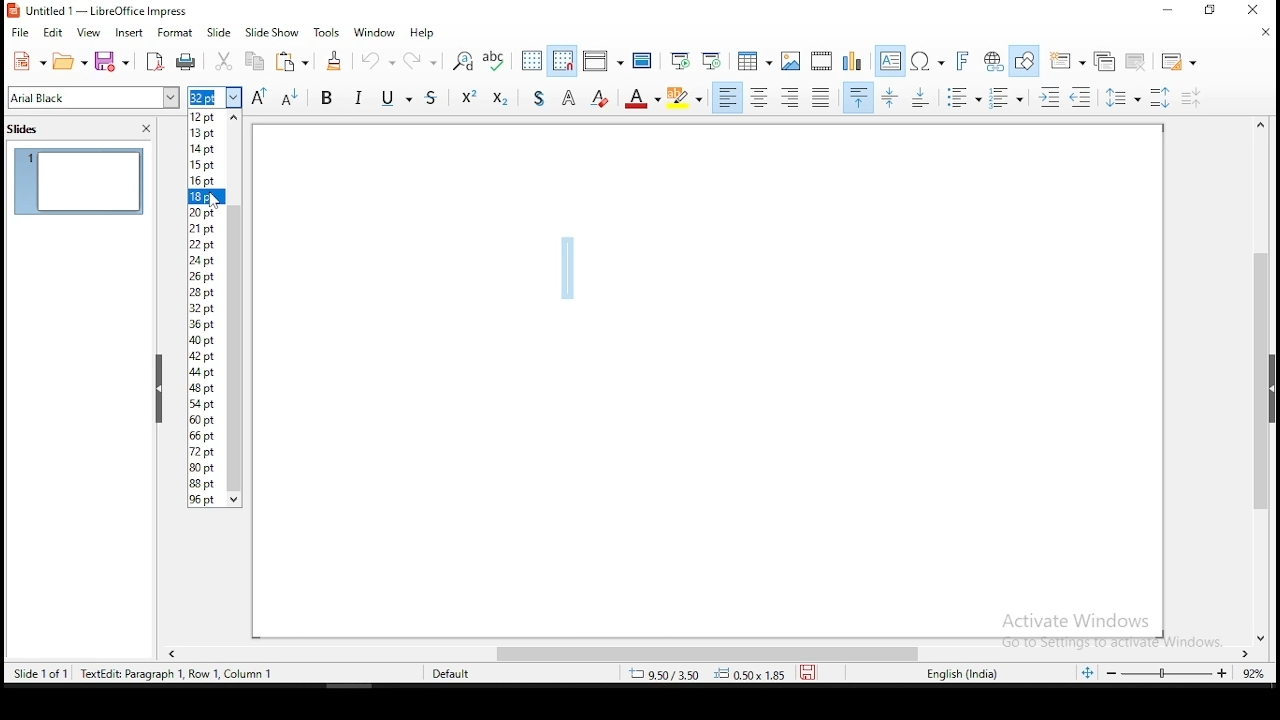 Image resolution: width=1280 pixels, height=720 pixels. What do you see at coordinates (1185, 673) in the screenshot?
I see `zoom level` at bounding box center [1185, 673].